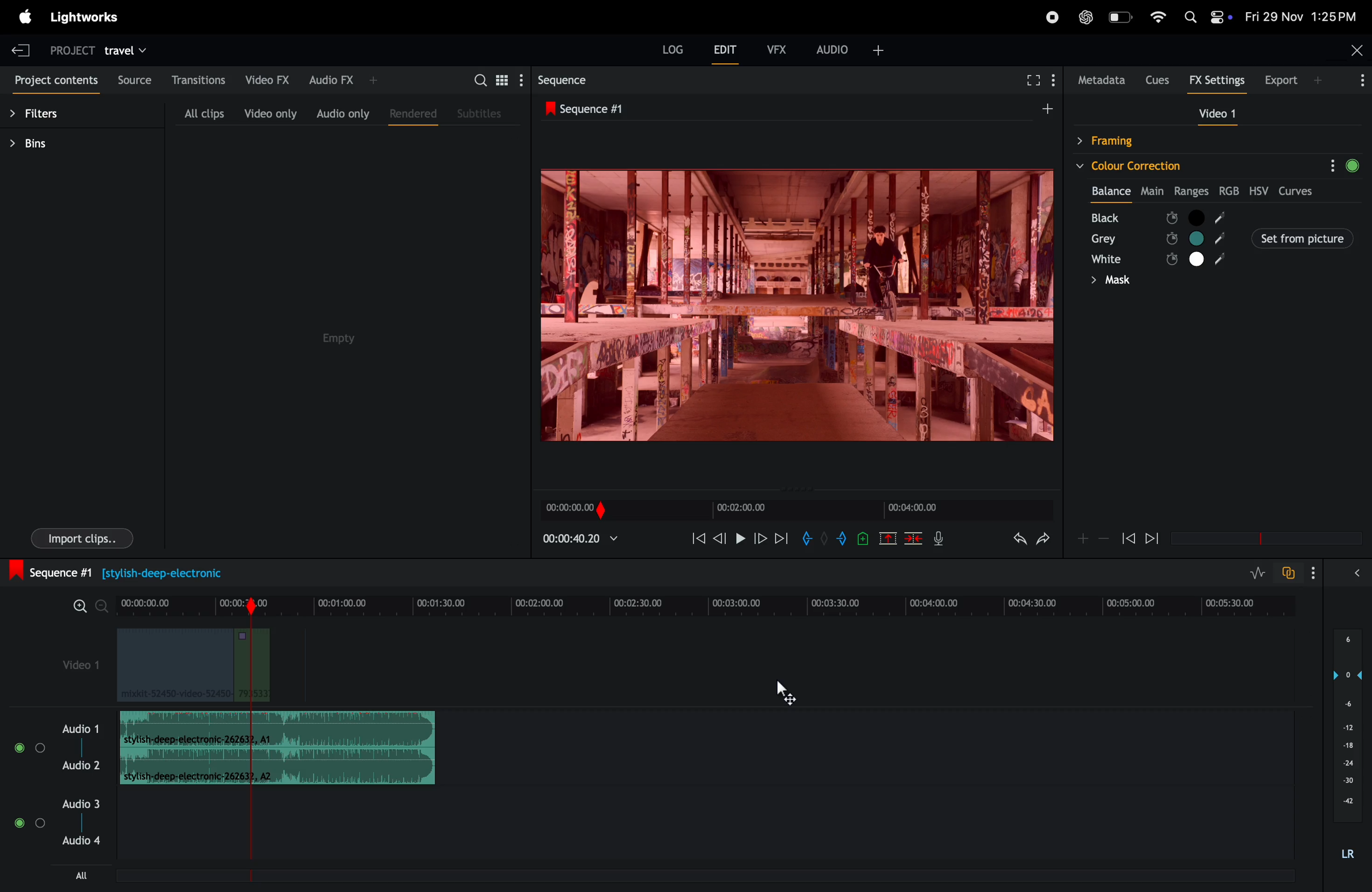  Describe the element at coordinates (277, 765) in the screenshot. I see `Audio Clip` at that location.